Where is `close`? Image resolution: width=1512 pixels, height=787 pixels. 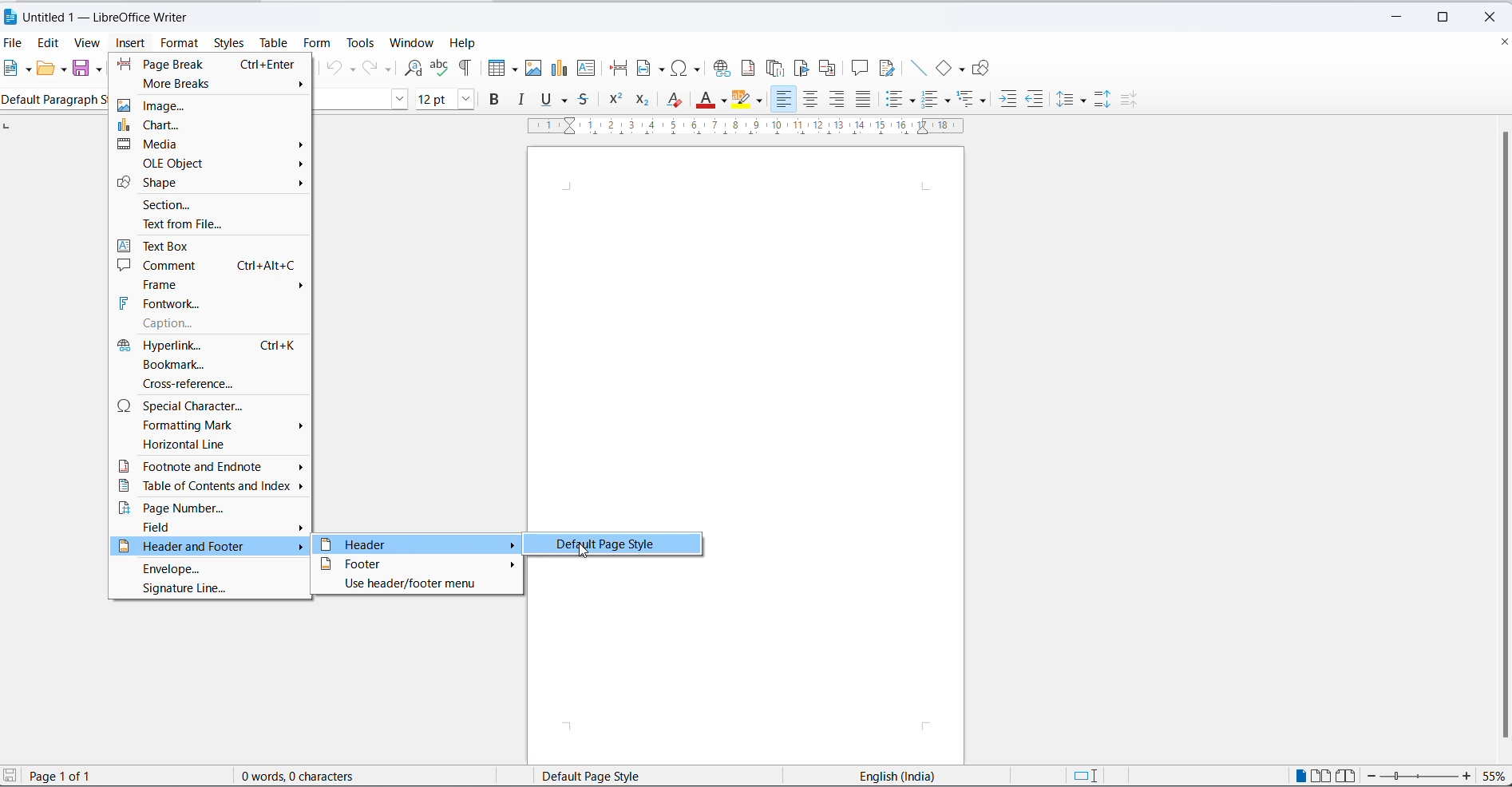
close is located at coordinates (1495, 15).